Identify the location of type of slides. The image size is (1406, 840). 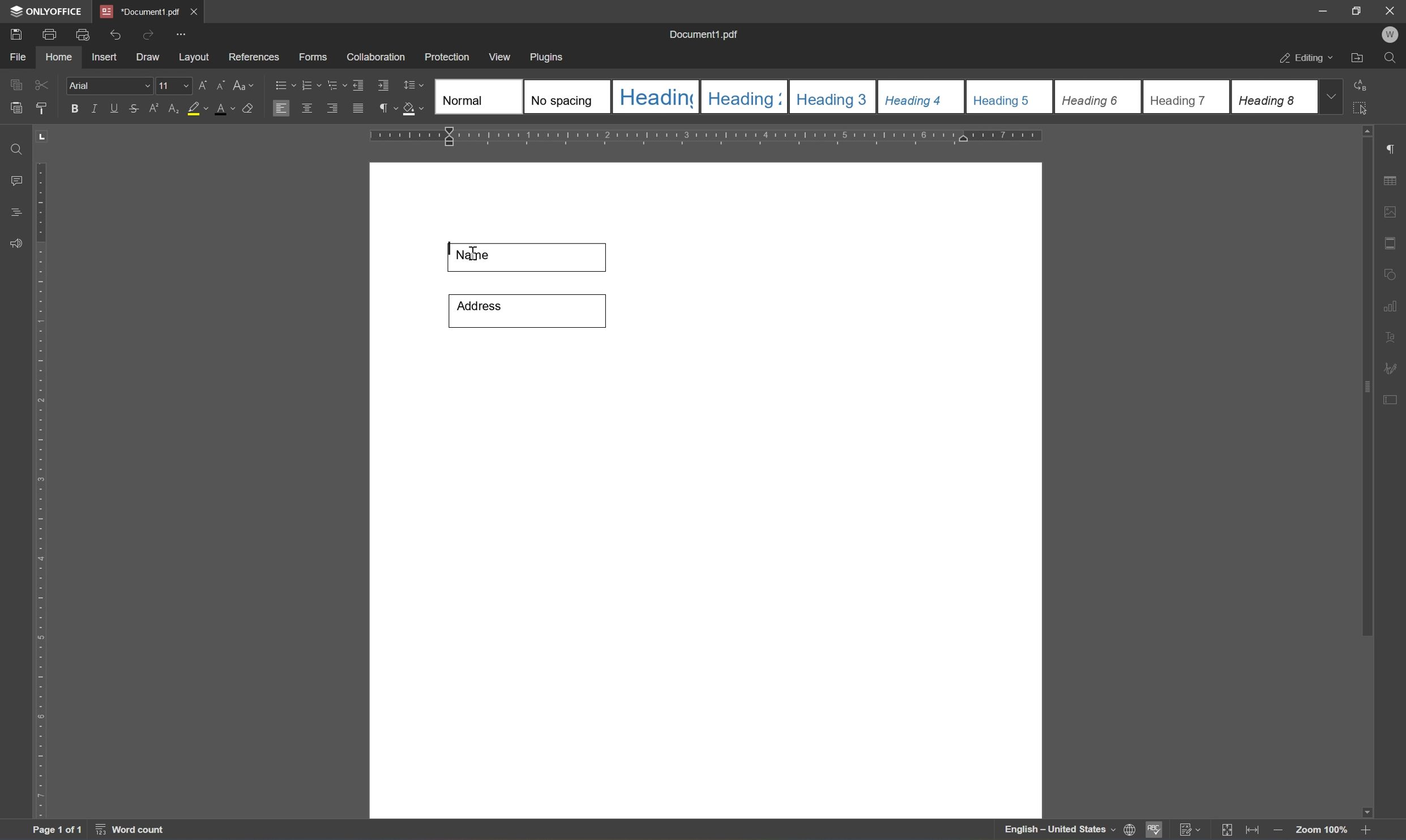
(872, 96).